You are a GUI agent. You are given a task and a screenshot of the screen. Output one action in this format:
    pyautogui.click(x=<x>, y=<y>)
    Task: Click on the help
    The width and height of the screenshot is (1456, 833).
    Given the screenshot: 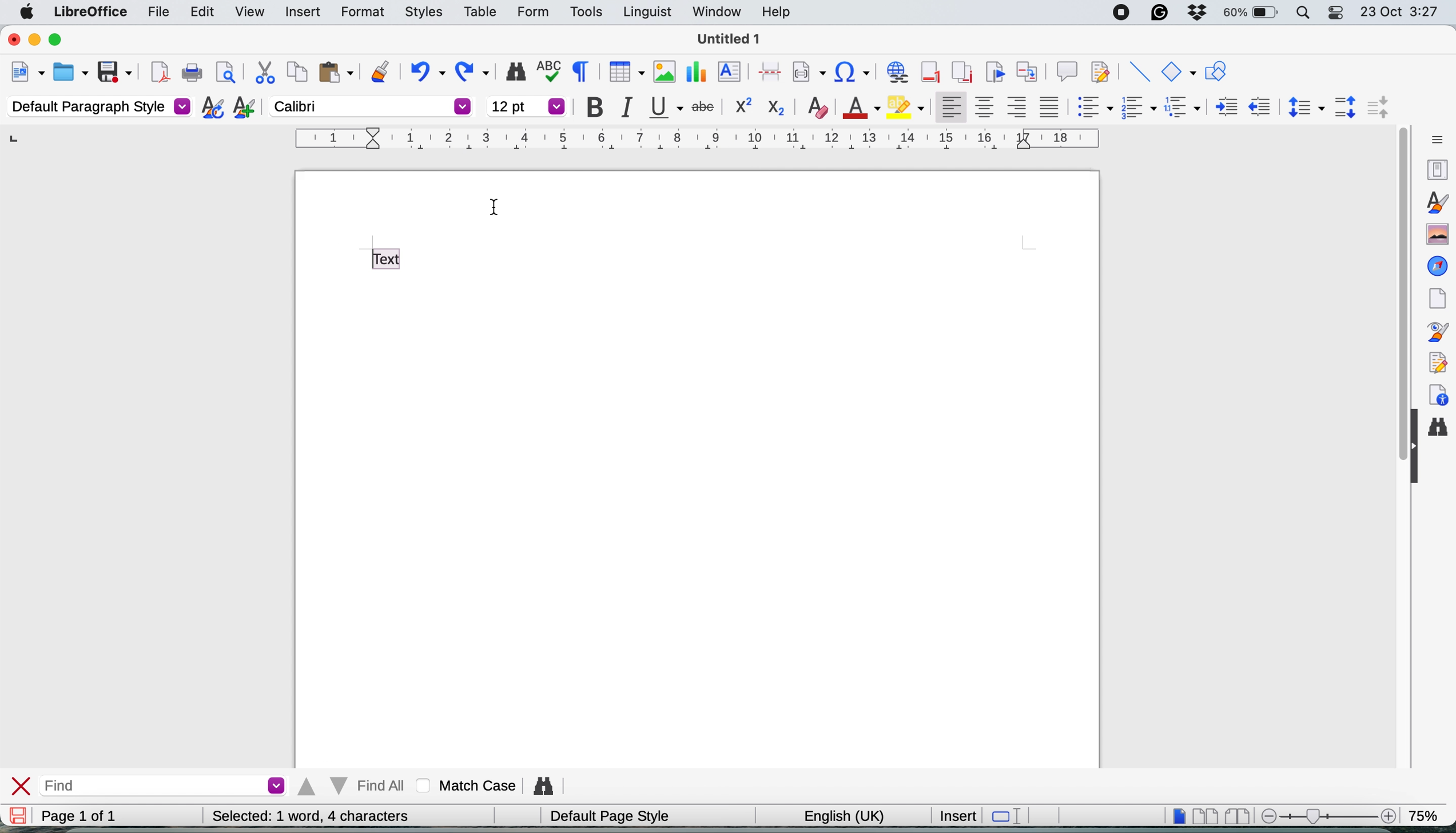 What is the action you would take?
    pyautogui.click(x=776, y=13)
    